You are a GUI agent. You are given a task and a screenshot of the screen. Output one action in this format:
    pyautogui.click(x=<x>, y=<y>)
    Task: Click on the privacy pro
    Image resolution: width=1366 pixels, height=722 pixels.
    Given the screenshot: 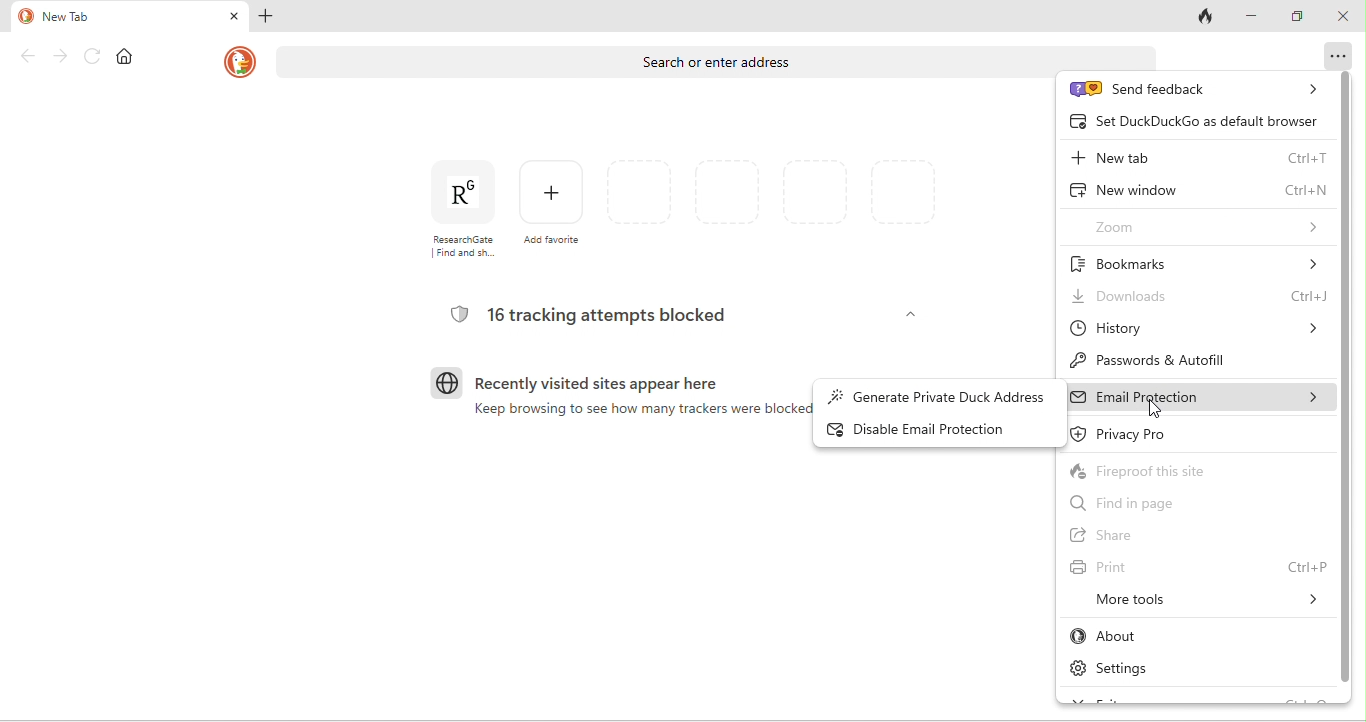 What is the action you would take?
    pyautogui.click(x=1144, y=437)
    